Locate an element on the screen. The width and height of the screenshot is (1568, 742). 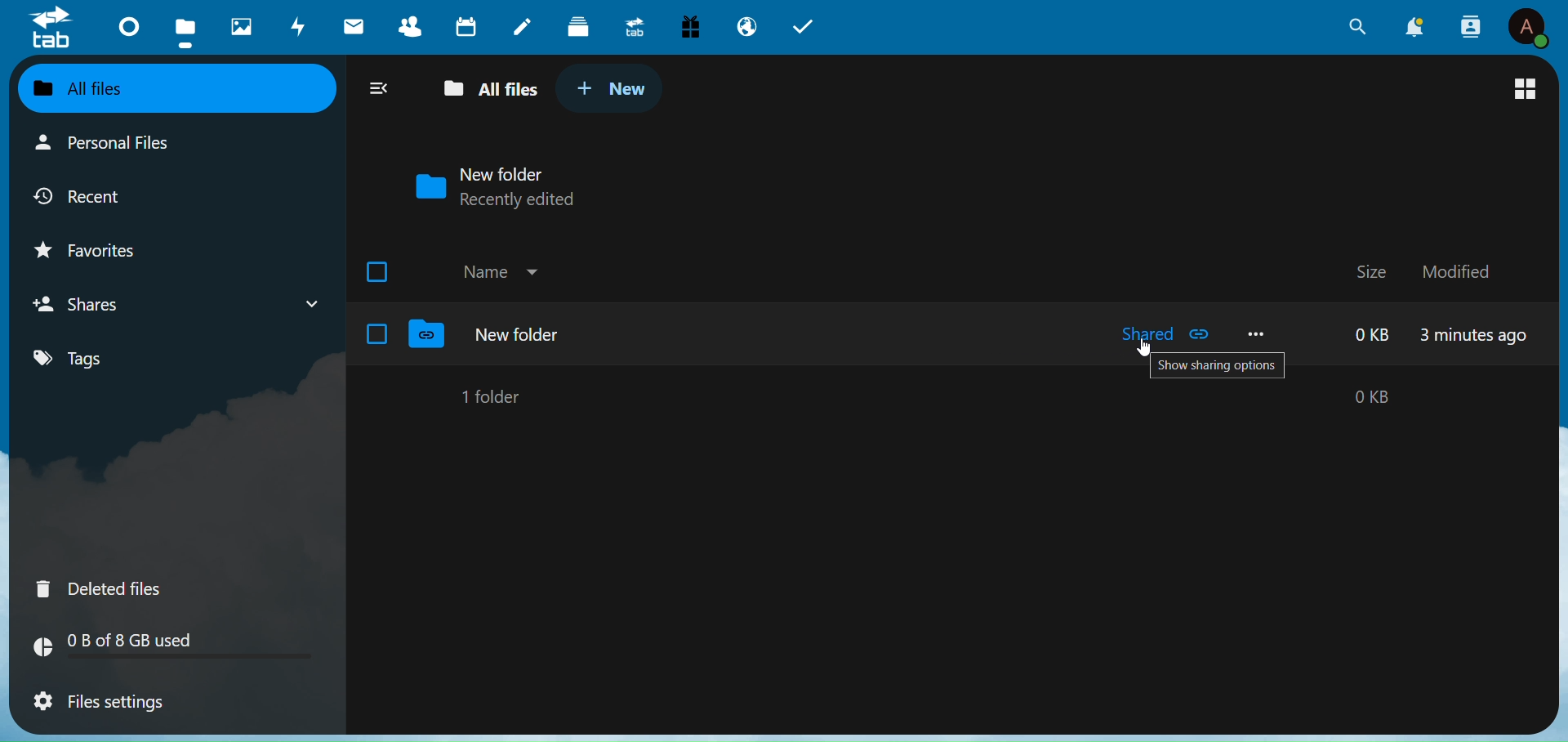
Contacts is located at coordinates (413, 26).